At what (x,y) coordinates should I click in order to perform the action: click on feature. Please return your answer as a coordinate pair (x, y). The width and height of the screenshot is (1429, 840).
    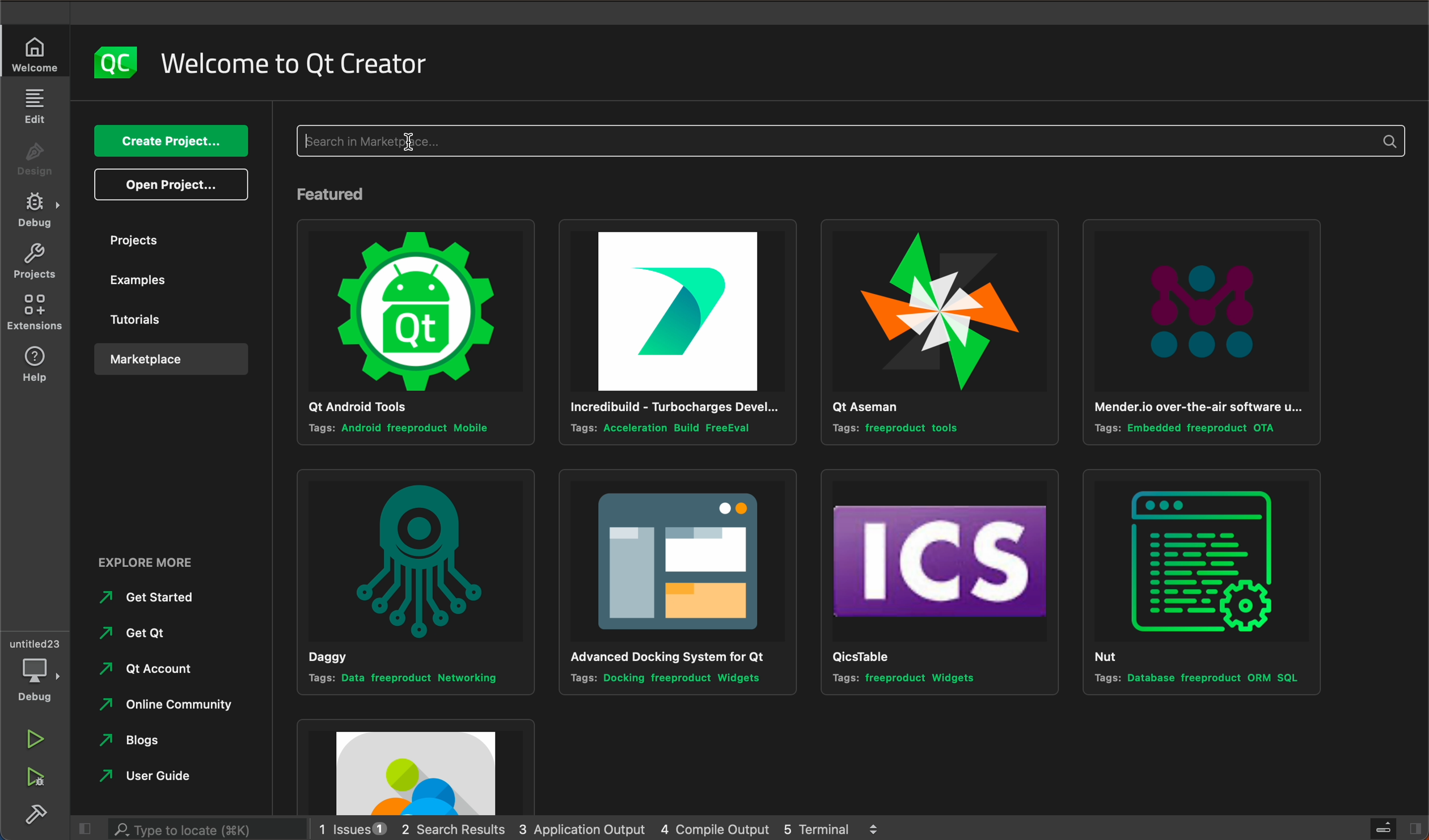
    Looking at the image, I should click on (341, 193).